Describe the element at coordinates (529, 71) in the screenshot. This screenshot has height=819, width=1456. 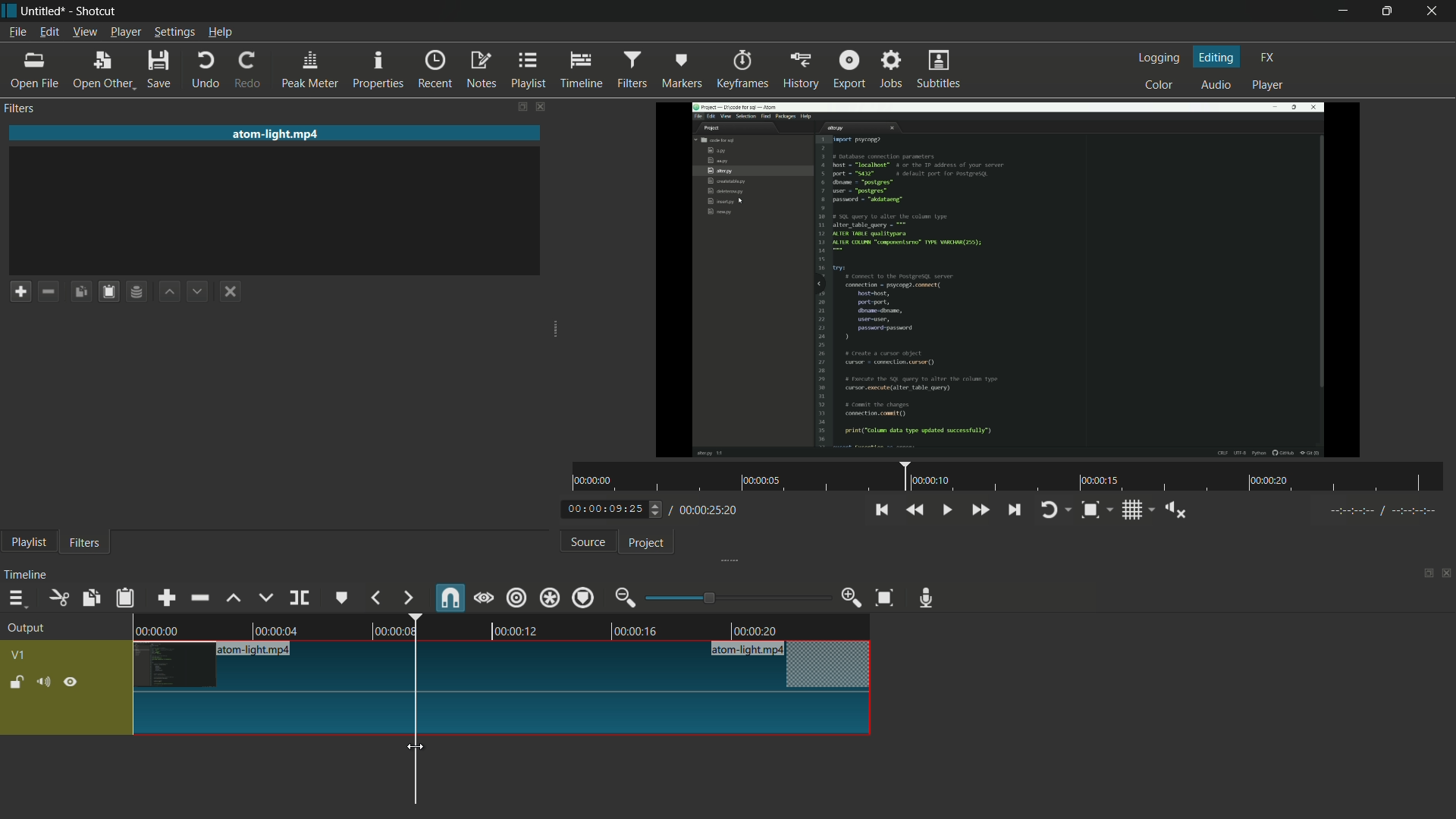
I see `playlist` at that location.